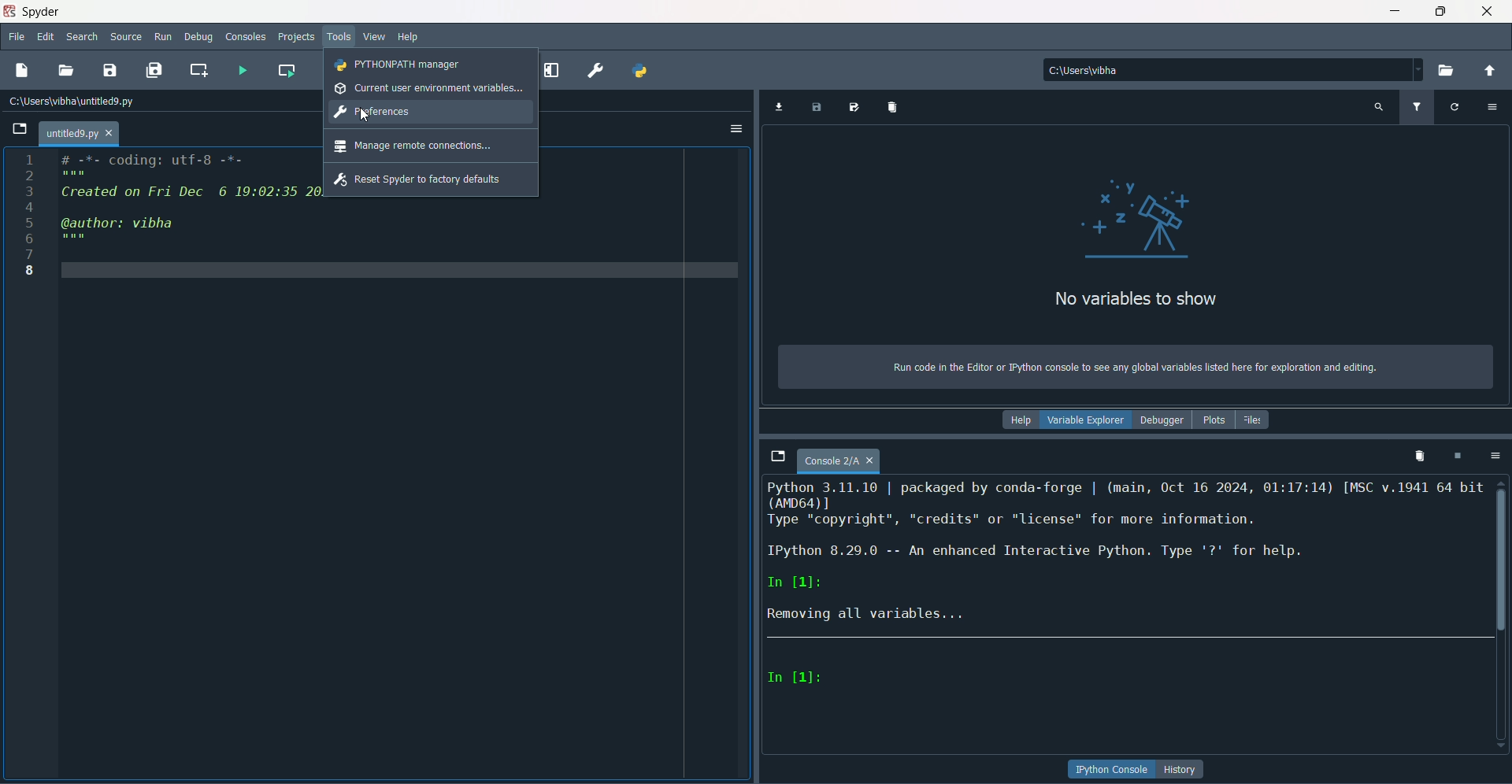 The height and width of the screenshot is (784, 1512). I want to click on Open file, so click(20, 129).